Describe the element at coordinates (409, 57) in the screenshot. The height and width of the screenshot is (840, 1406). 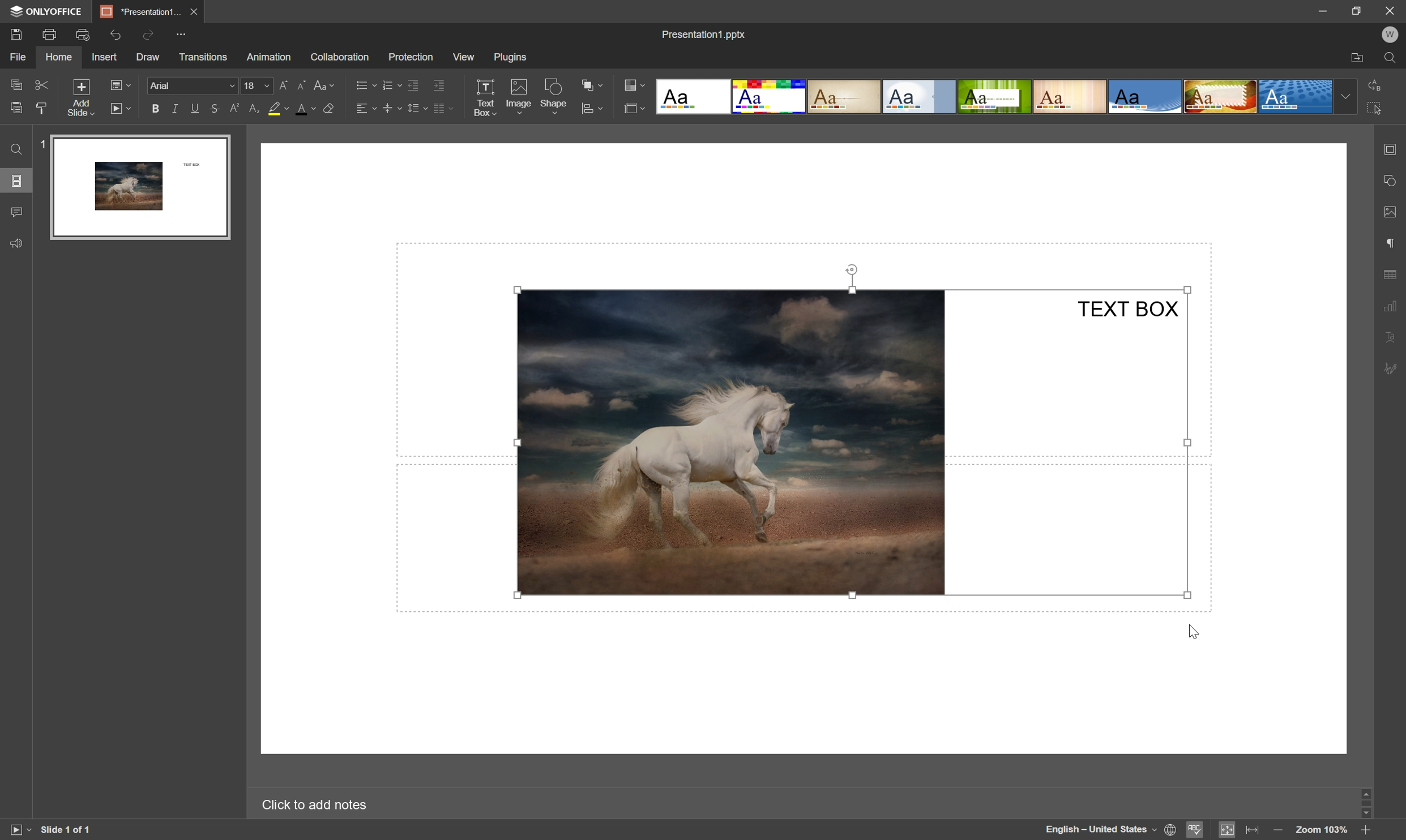
I see `protection` at that location.